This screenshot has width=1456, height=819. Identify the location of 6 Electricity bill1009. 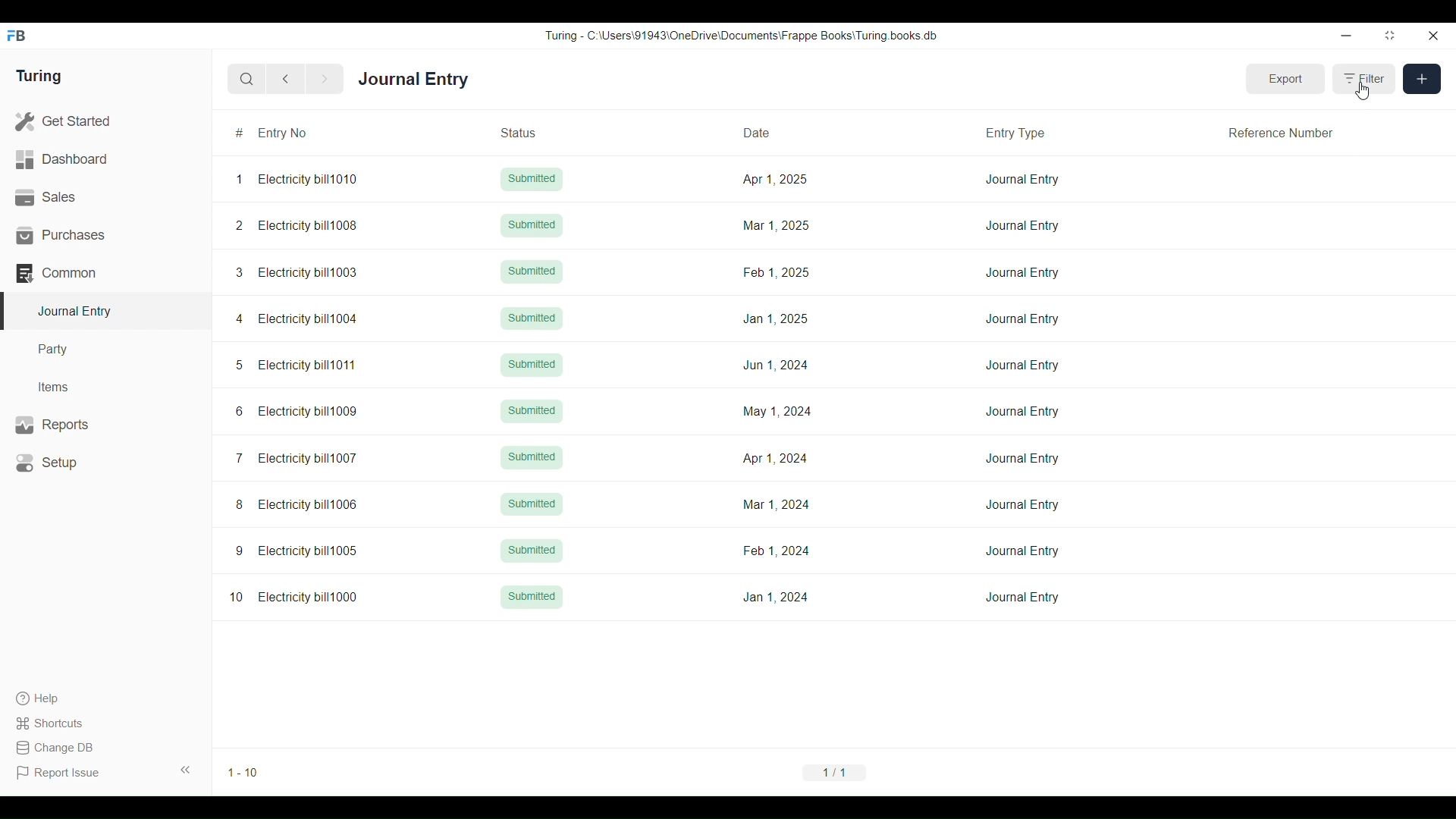
(297, 411).